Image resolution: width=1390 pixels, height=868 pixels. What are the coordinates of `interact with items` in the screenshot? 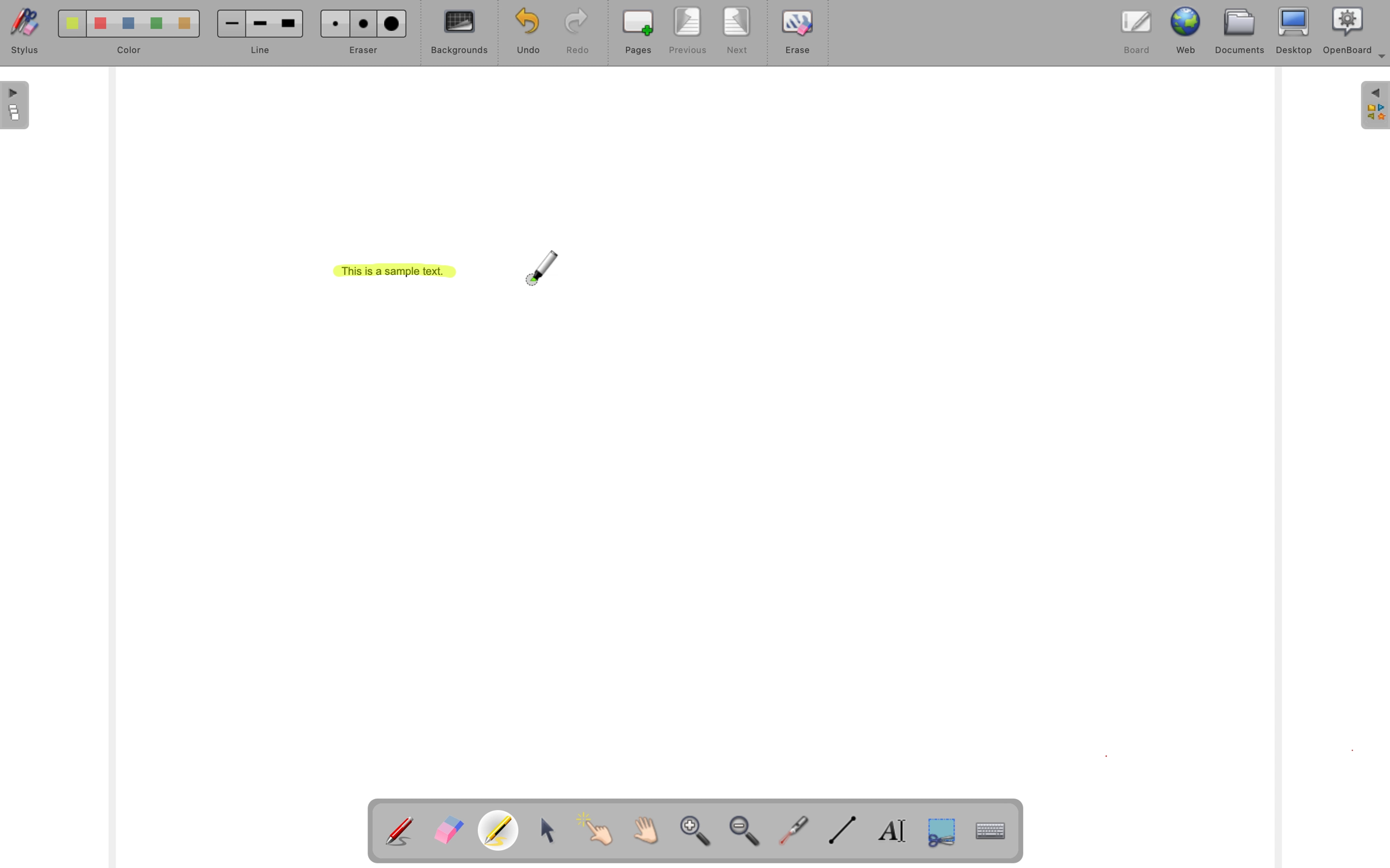 It's located at (603, 828).